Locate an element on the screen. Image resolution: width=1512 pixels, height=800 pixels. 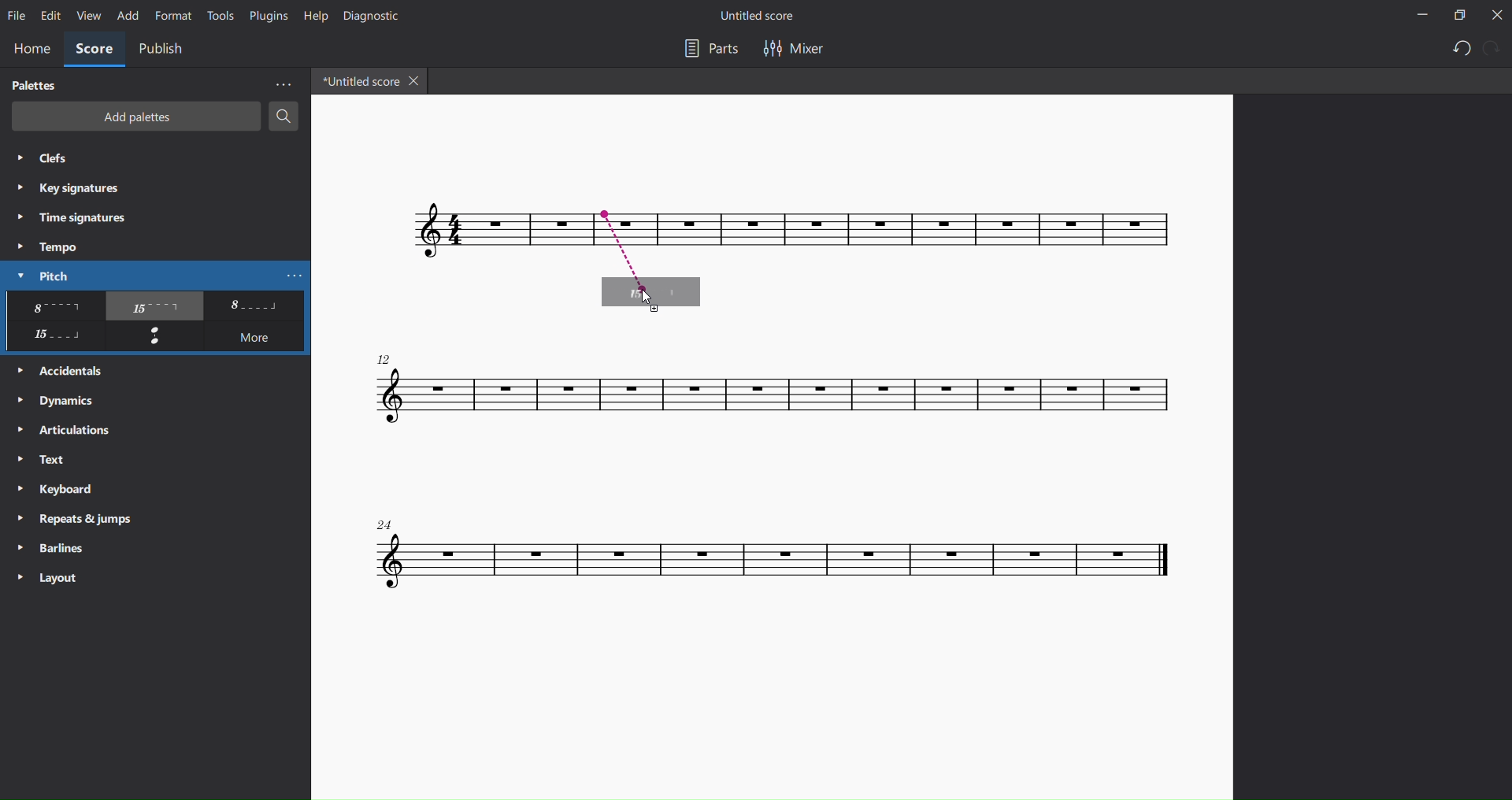
score is located at coordinates (762, 397).